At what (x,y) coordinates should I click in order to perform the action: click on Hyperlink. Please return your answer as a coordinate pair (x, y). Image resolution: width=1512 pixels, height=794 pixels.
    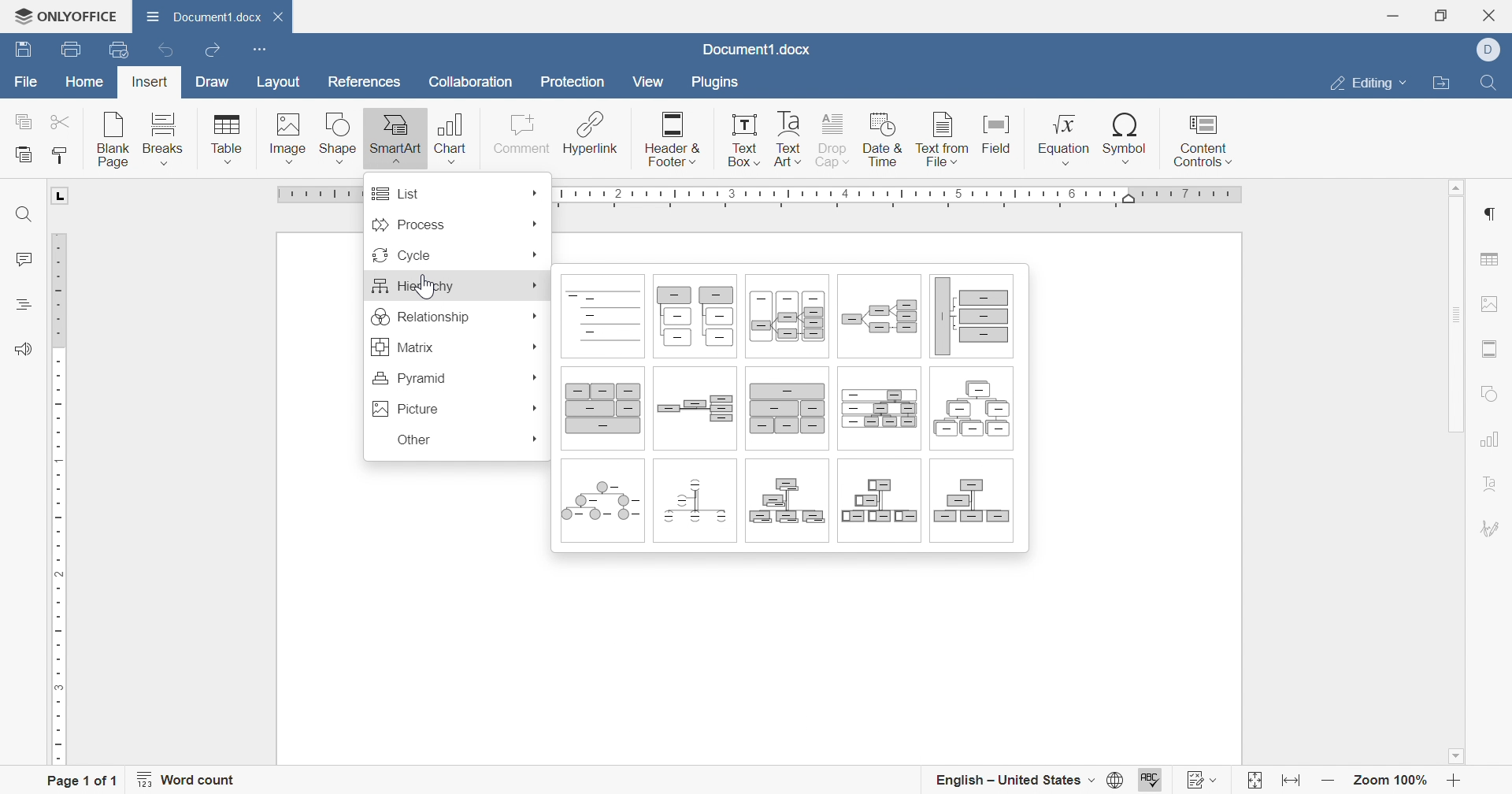
    Looking at the image, I should click on (590, 135).